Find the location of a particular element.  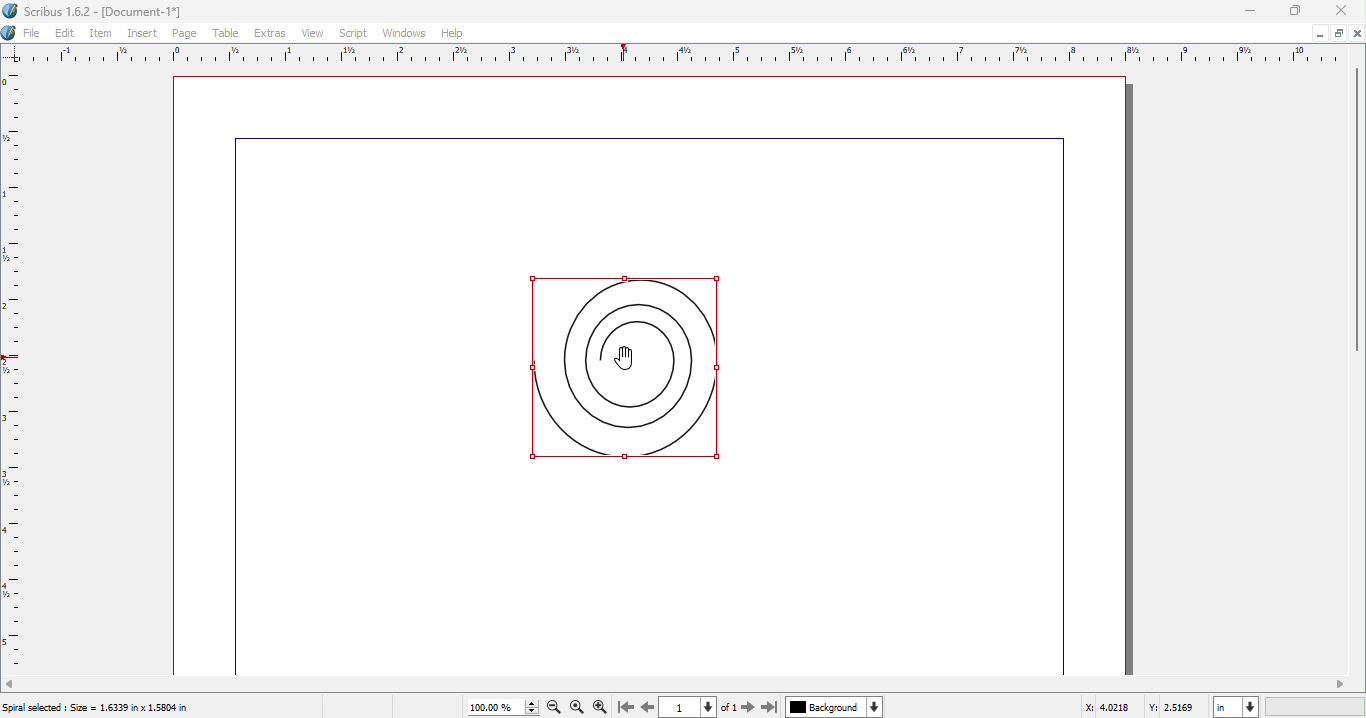

Minimize is located at coordinates (1252, 11).